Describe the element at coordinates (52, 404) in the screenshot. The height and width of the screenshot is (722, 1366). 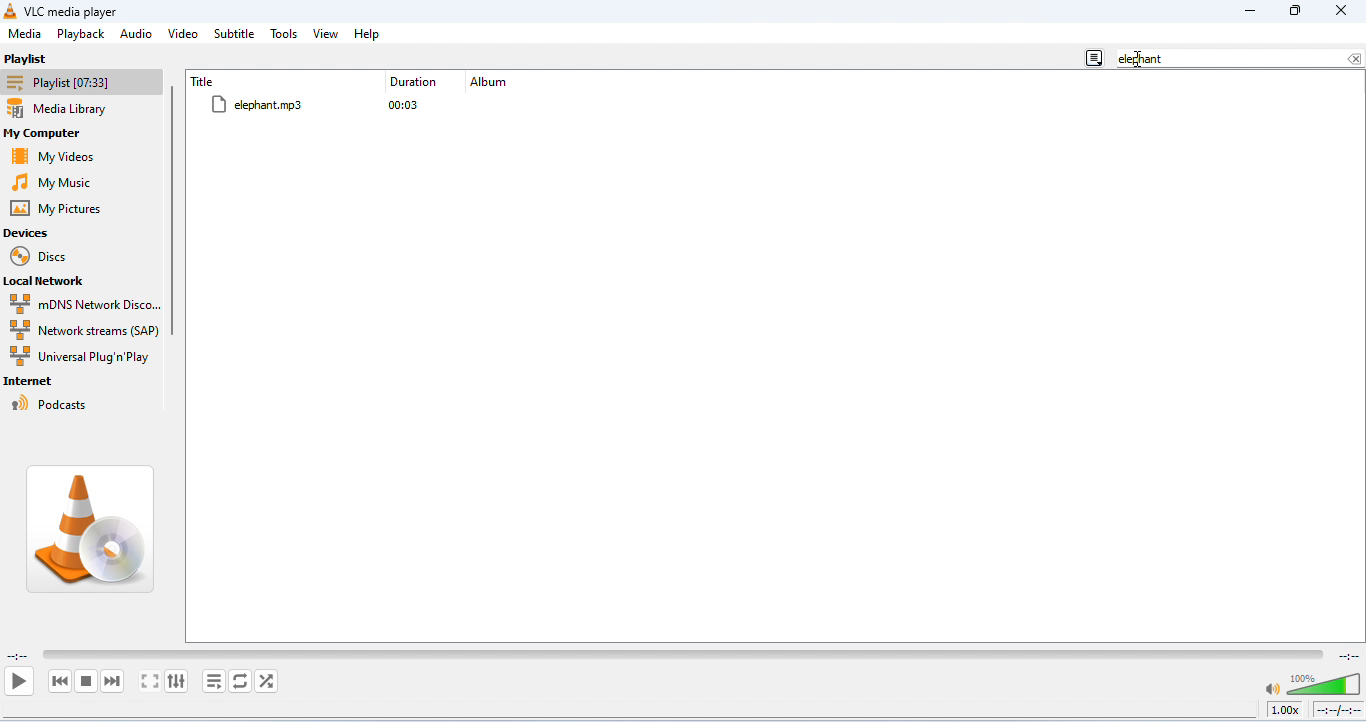
I see `podcasts` at that location.